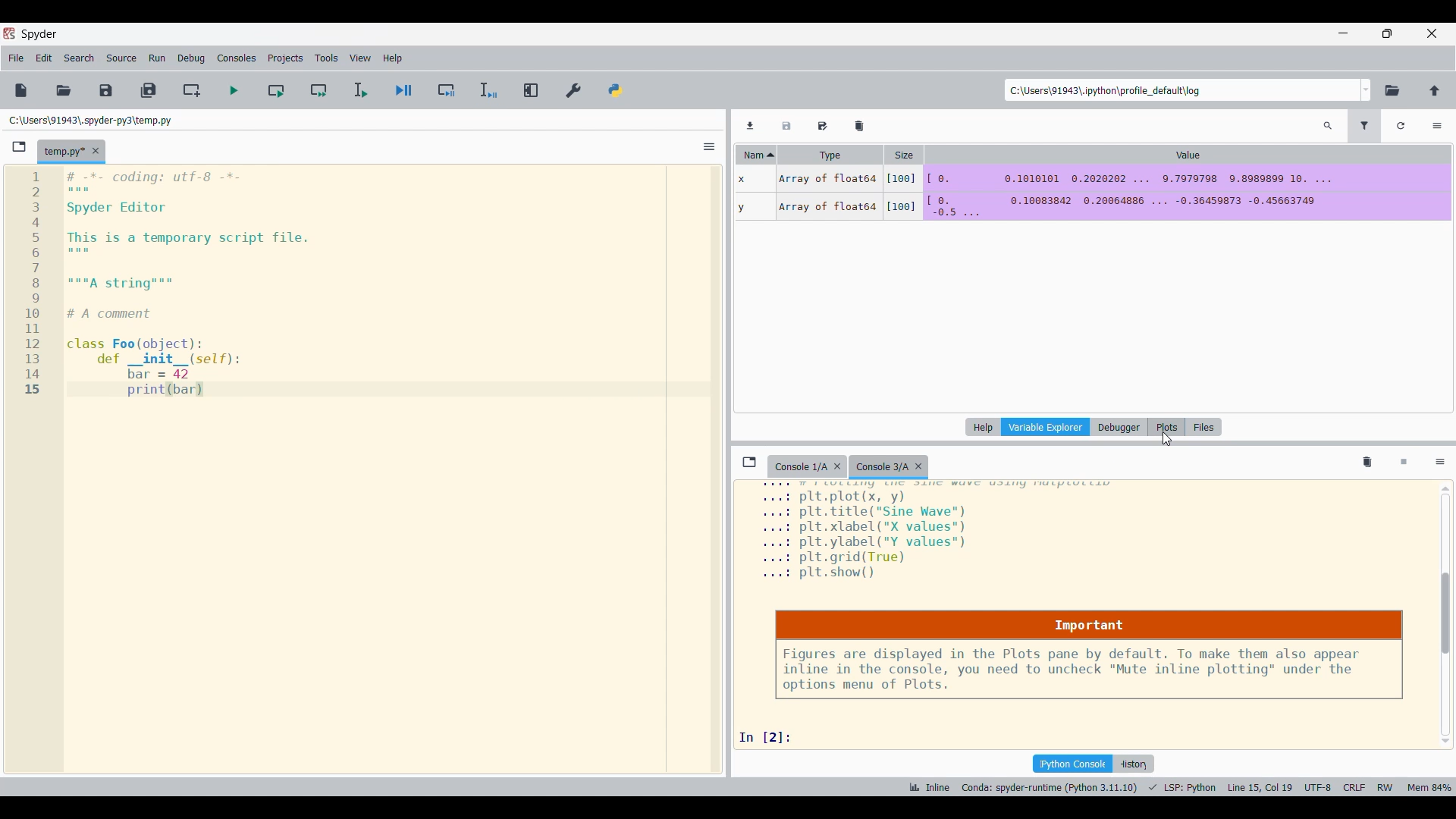 This screenshot has width=1456, height=819. Describe the element at coordinates (447, 90) in the screenshot. I see `Debug cell` at that location.